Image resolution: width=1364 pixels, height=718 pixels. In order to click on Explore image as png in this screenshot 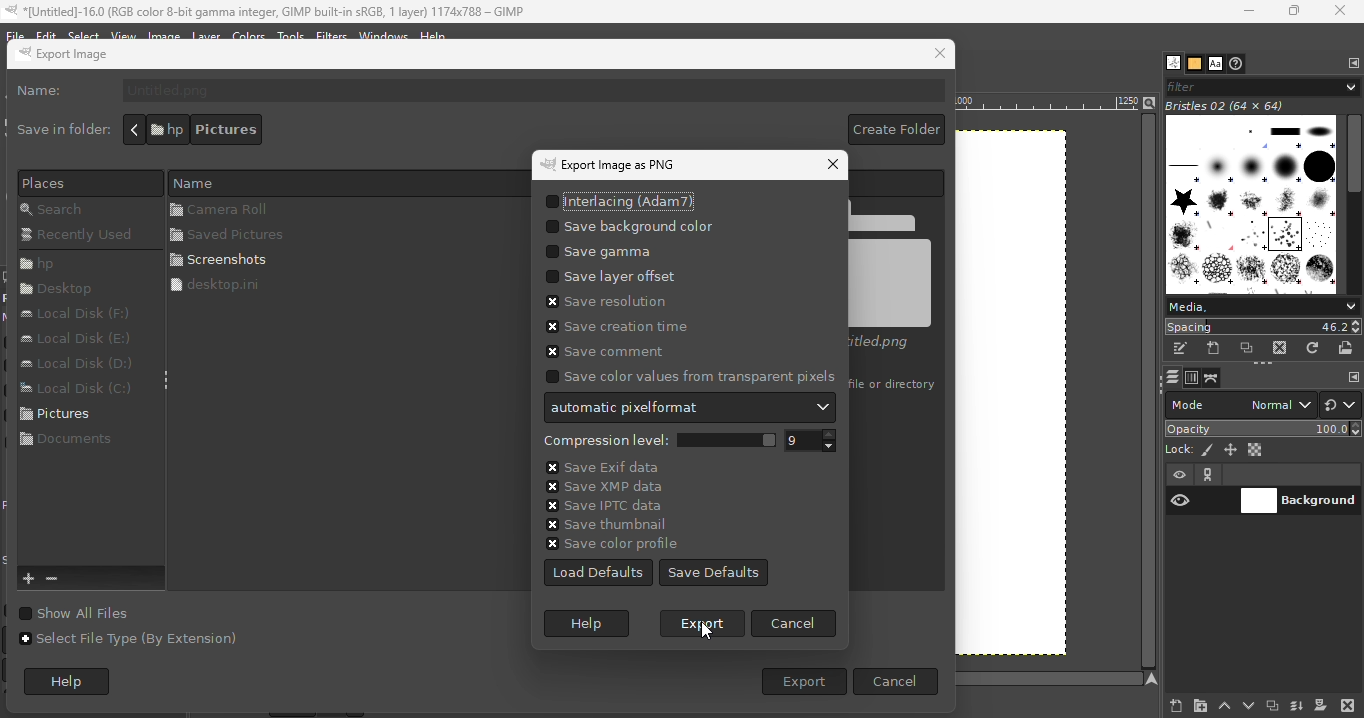, I will do `click(631, 166)`.